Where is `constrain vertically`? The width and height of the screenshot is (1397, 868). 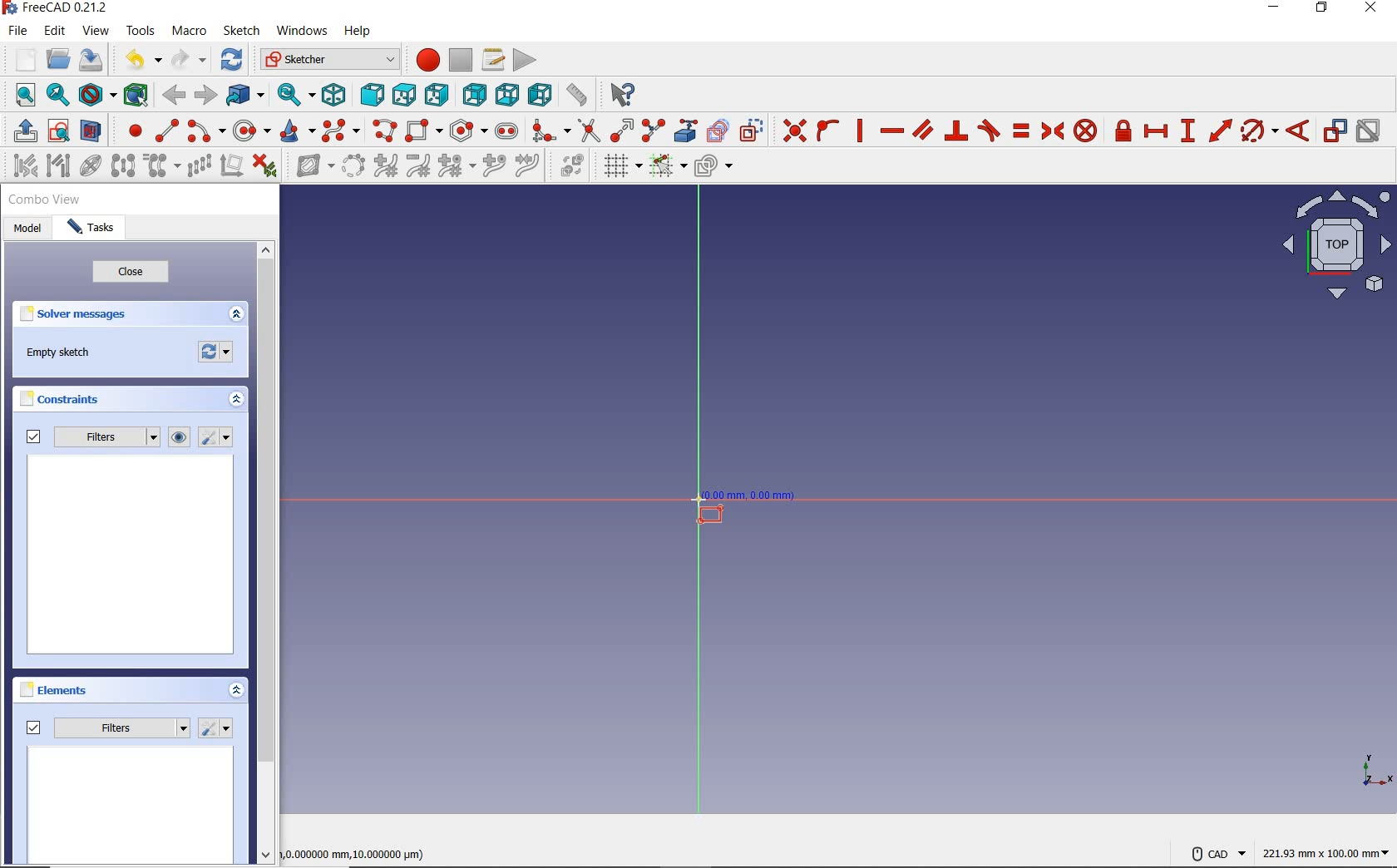 constrain vertically is located at coordinates (861, 133).